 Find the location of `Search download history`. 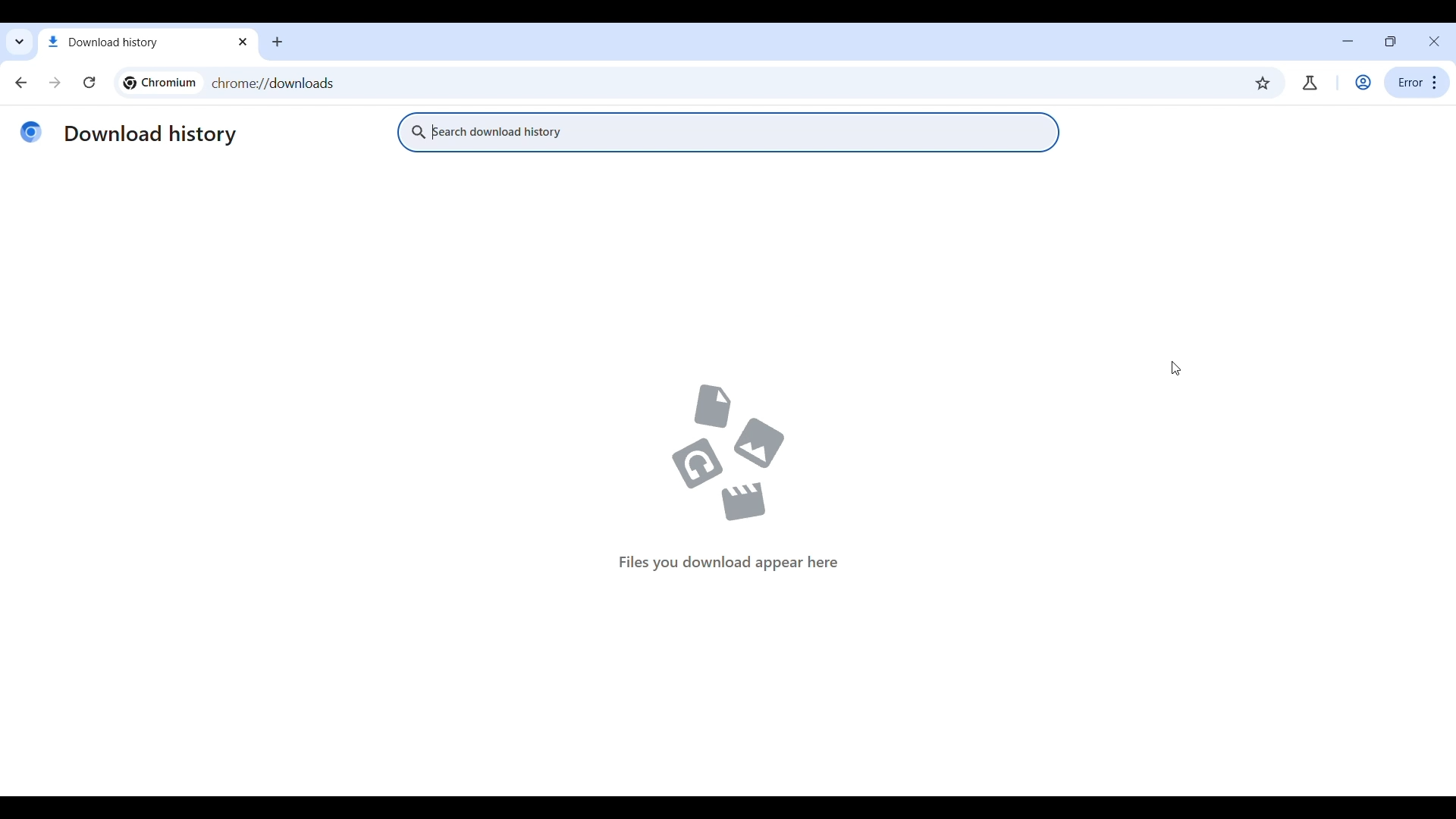

Search download history is located at coordinates (727, 132).